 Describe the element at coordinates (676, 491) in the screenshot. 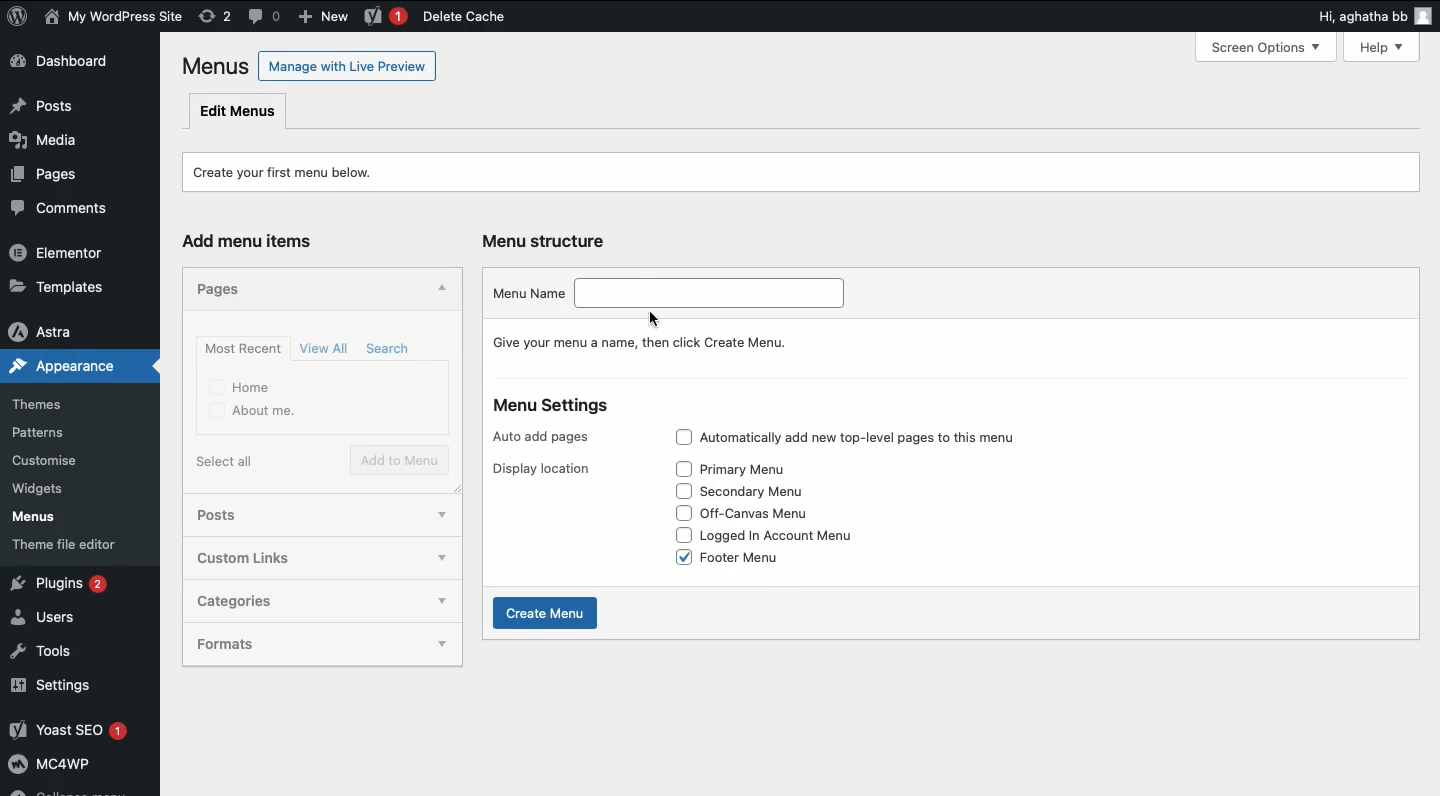

I see `Check box` at that location.